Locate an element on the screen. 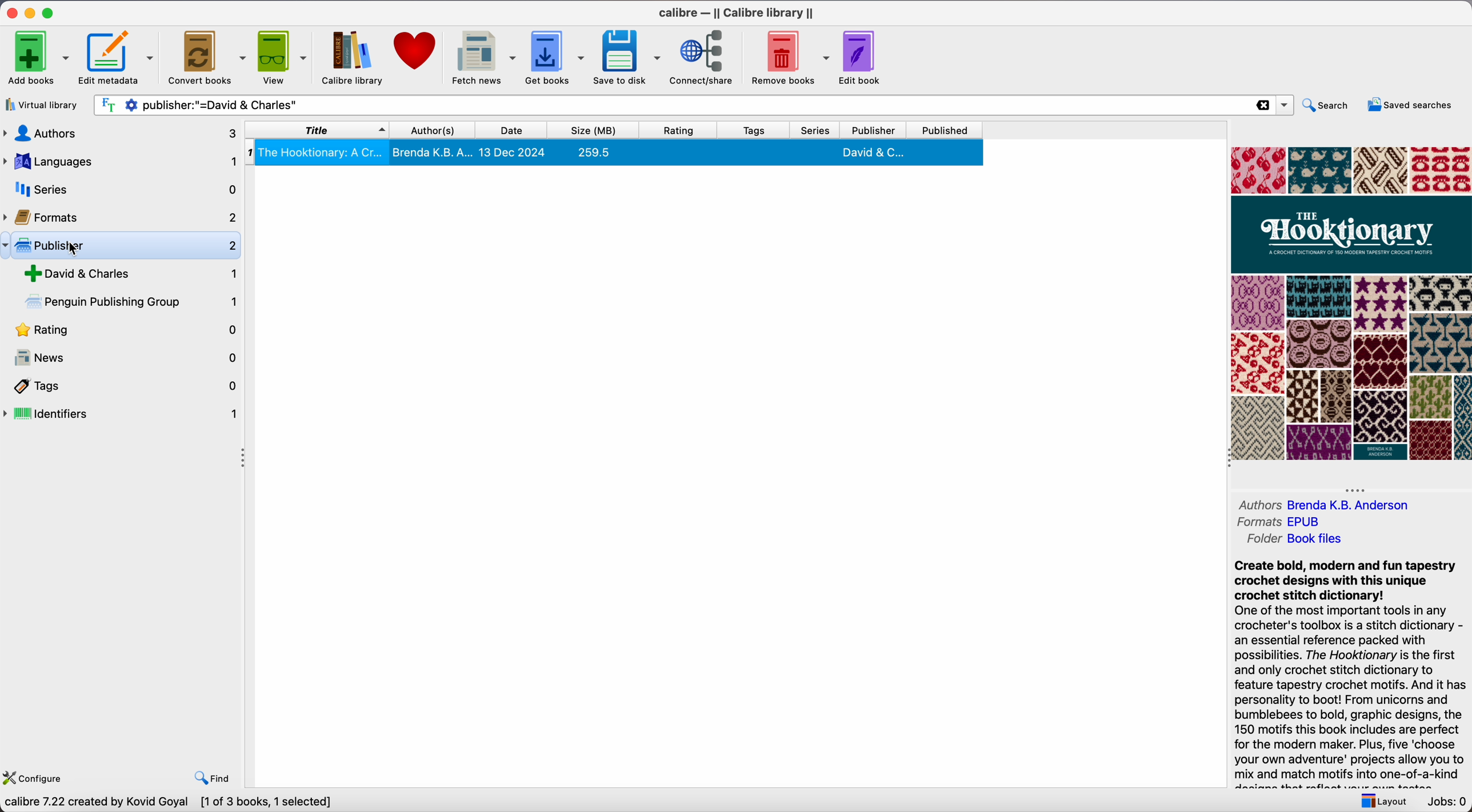  click on publicher options is located at coordinates (124, 246).